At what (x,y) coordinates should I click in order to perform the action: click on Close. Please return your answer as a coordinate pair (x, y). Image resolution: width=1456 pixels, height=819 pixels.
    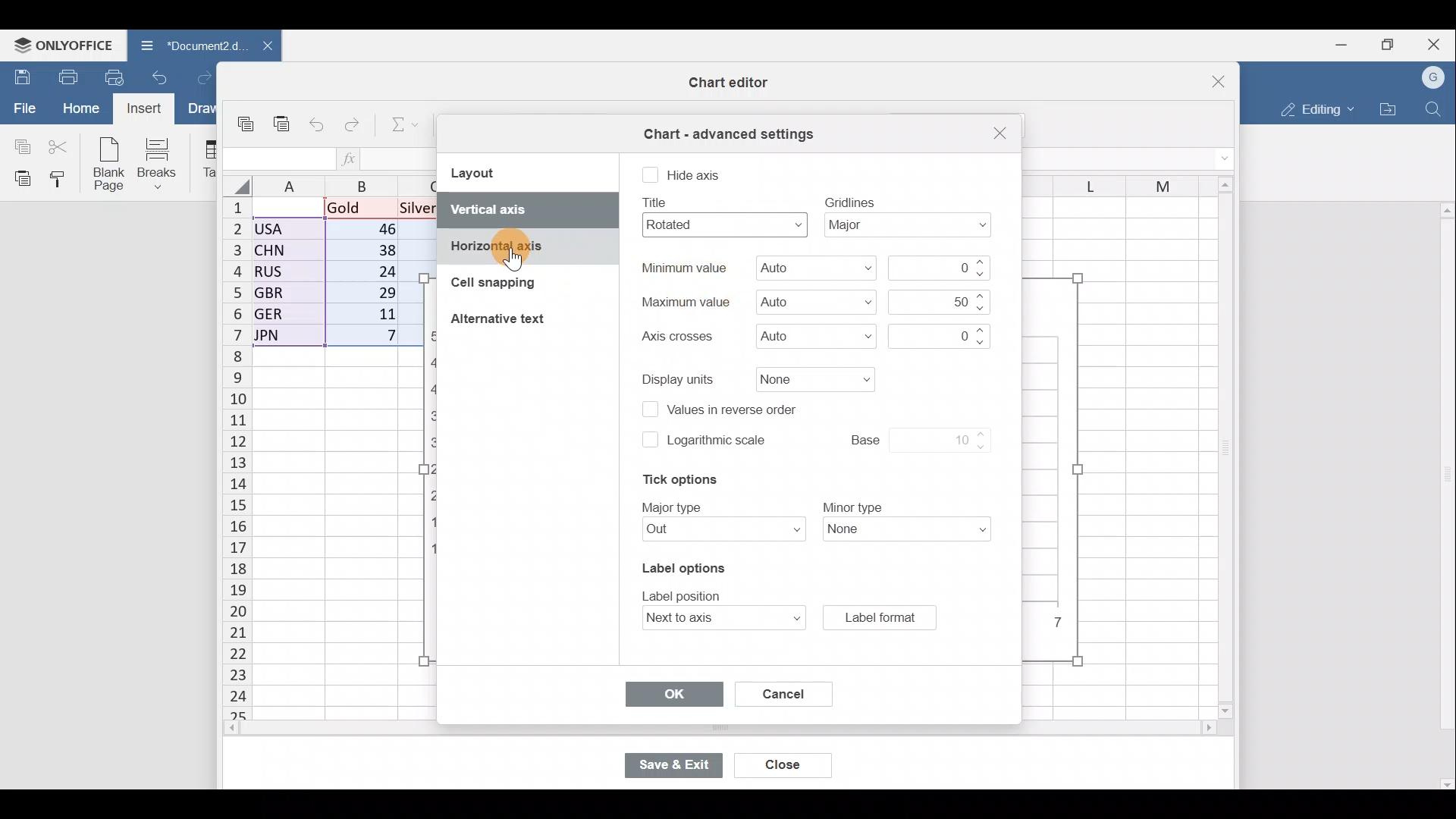
    Looking at the image, I should click on (997, 133).